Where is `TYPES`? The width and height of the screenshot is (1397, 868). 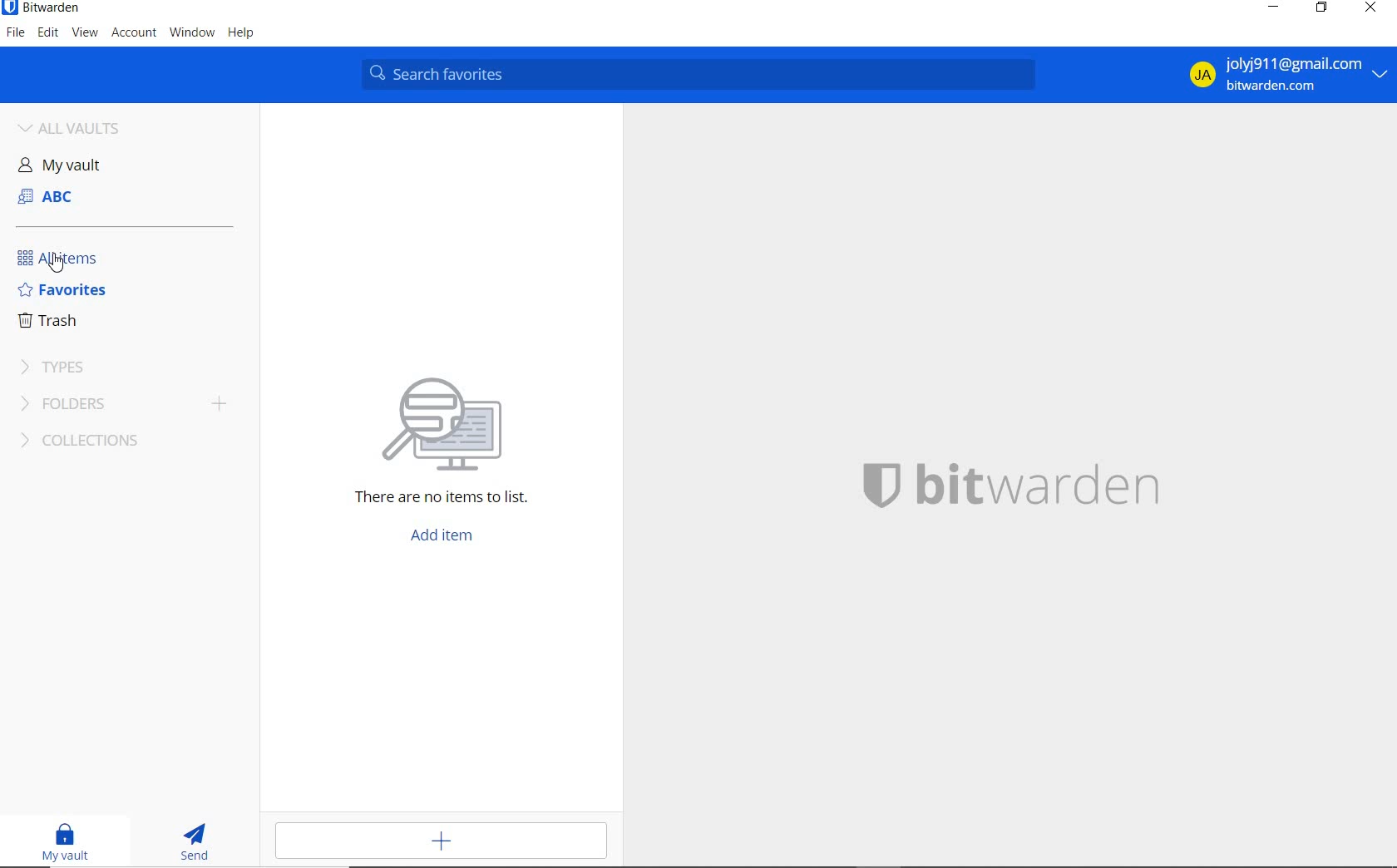
TYPES is located at coordinates (61, 367).